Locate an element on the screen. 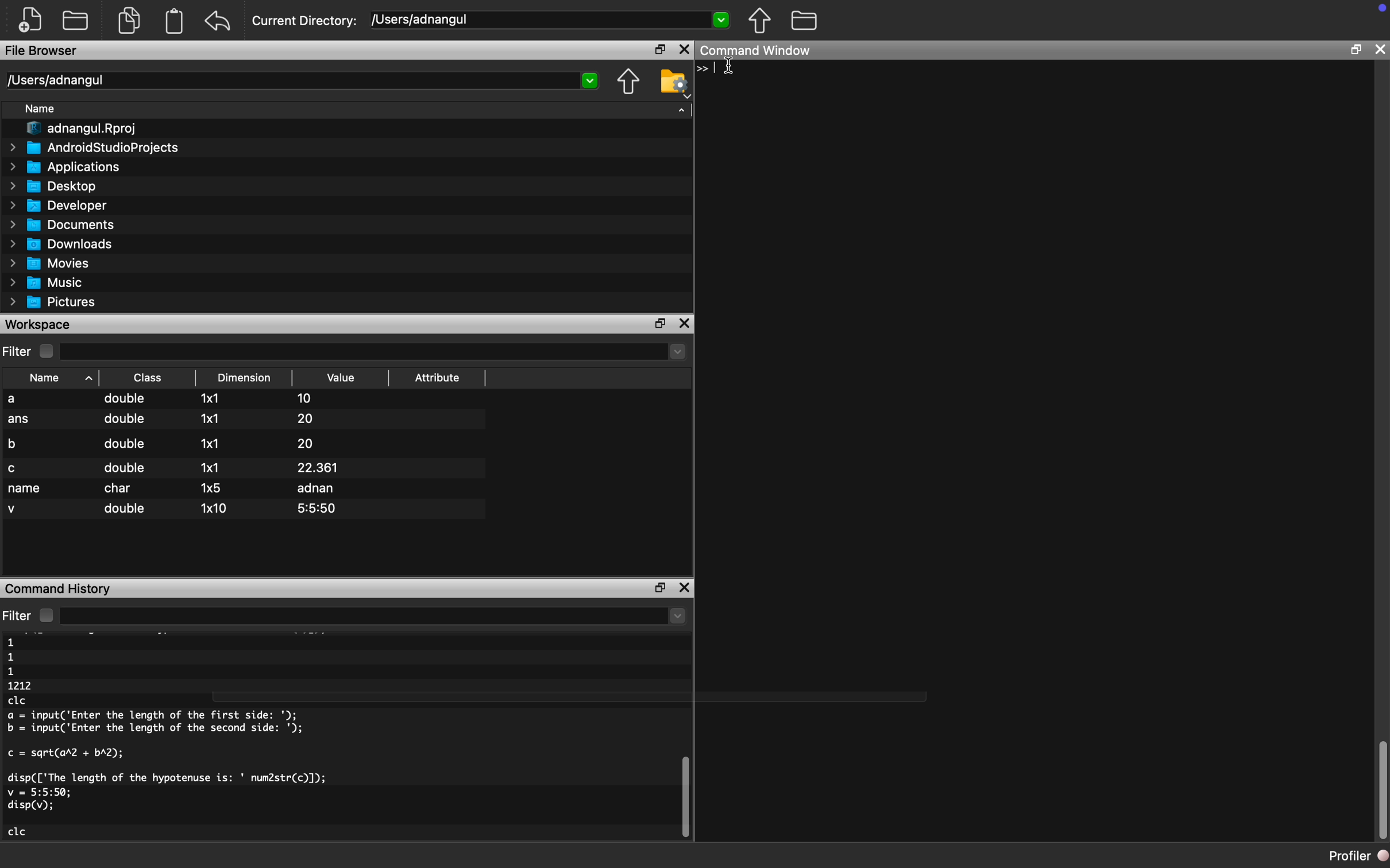 Image resolution: width=1390 pixels, height=868 pixels. dropdown is located at coordinates (673, 352).